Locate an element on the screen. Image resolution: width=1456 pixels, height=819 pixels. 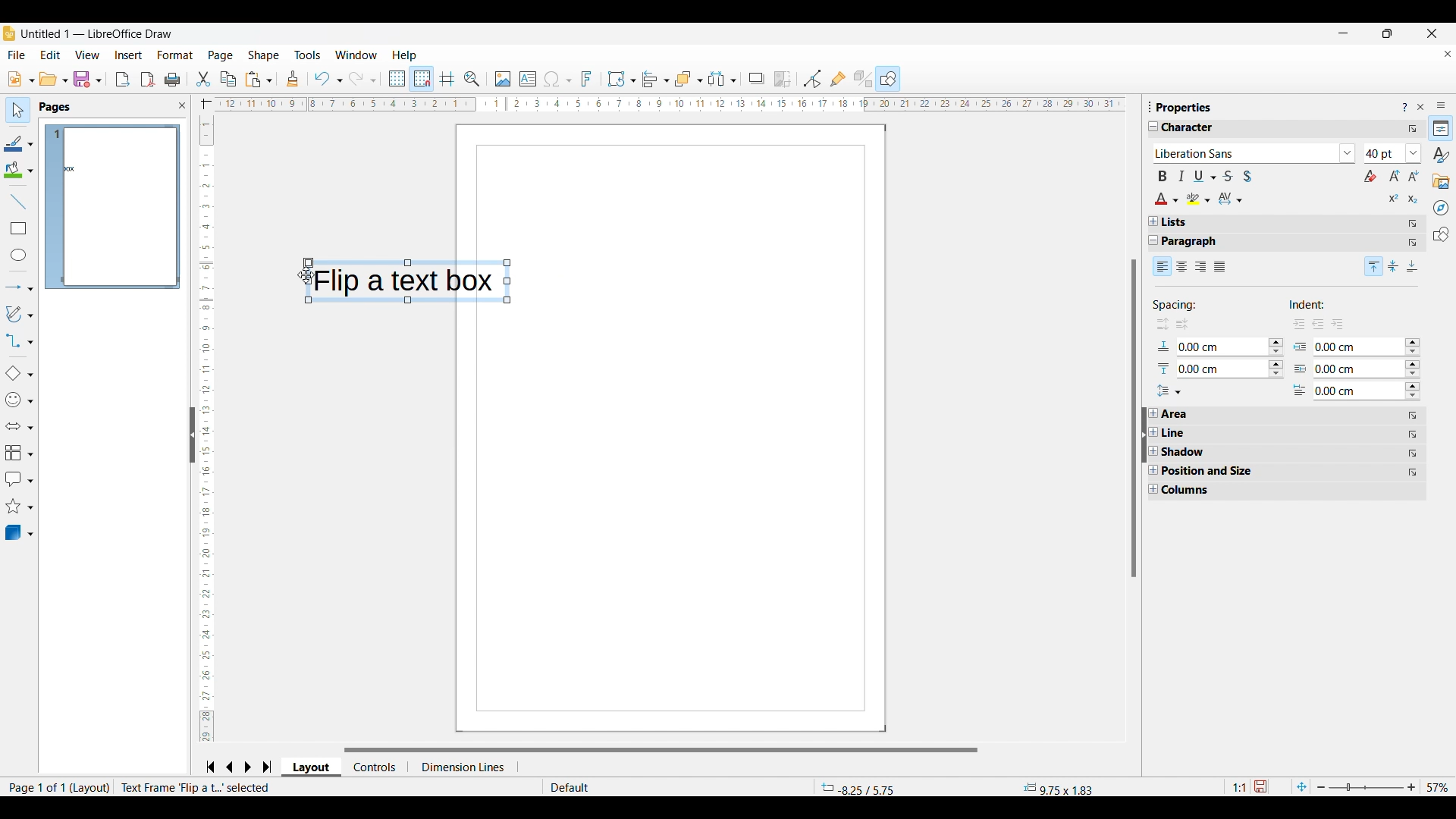
Type in respective indent is located at coordinates (1358, 347).